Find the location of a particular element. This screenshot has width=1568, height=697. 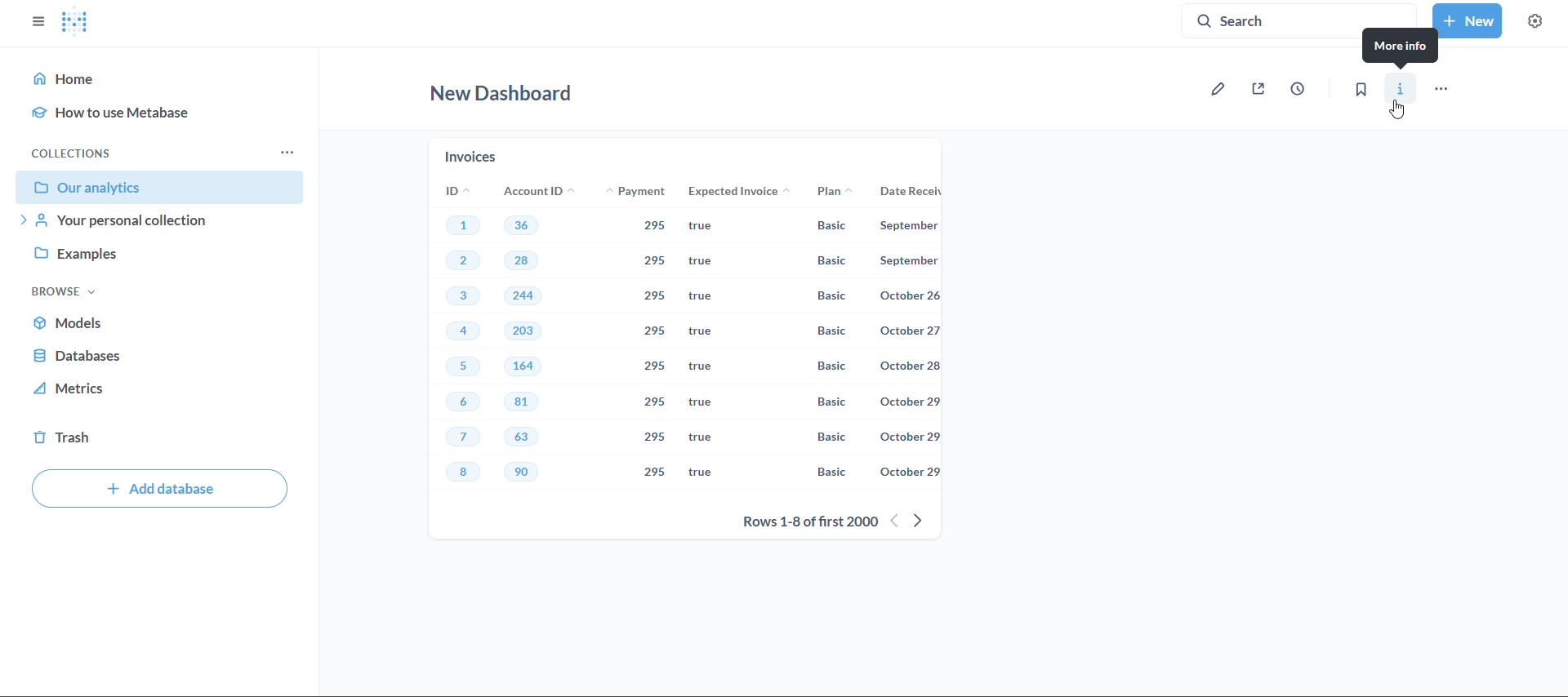

4 is located at coordinates (463, 332).